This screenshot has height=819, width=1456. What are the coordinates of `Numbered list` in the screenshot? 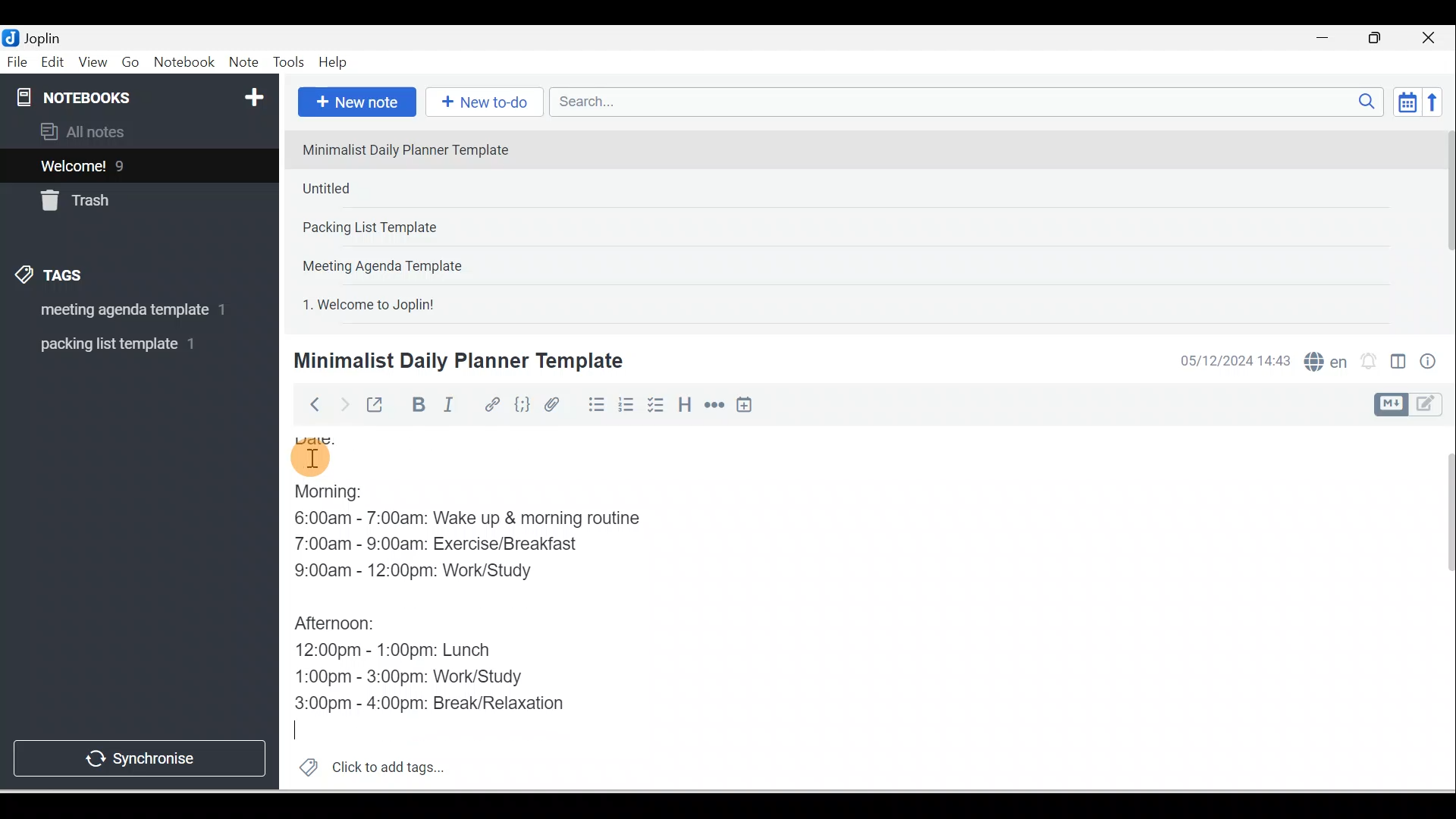 It's located at (626, 404).